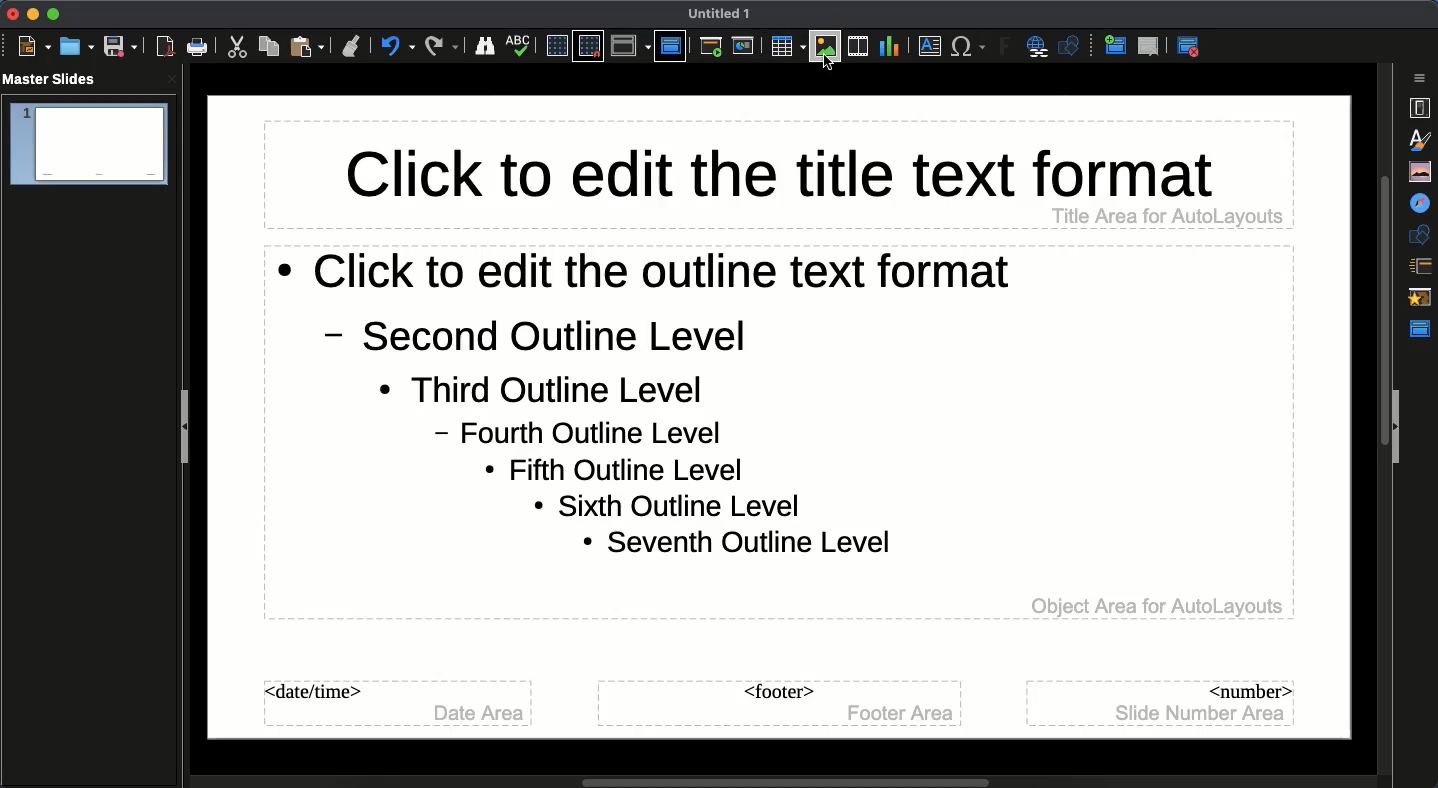 This screenshot has height=788, width=1438. I want to click on Master slide footer, so click(778, 704).